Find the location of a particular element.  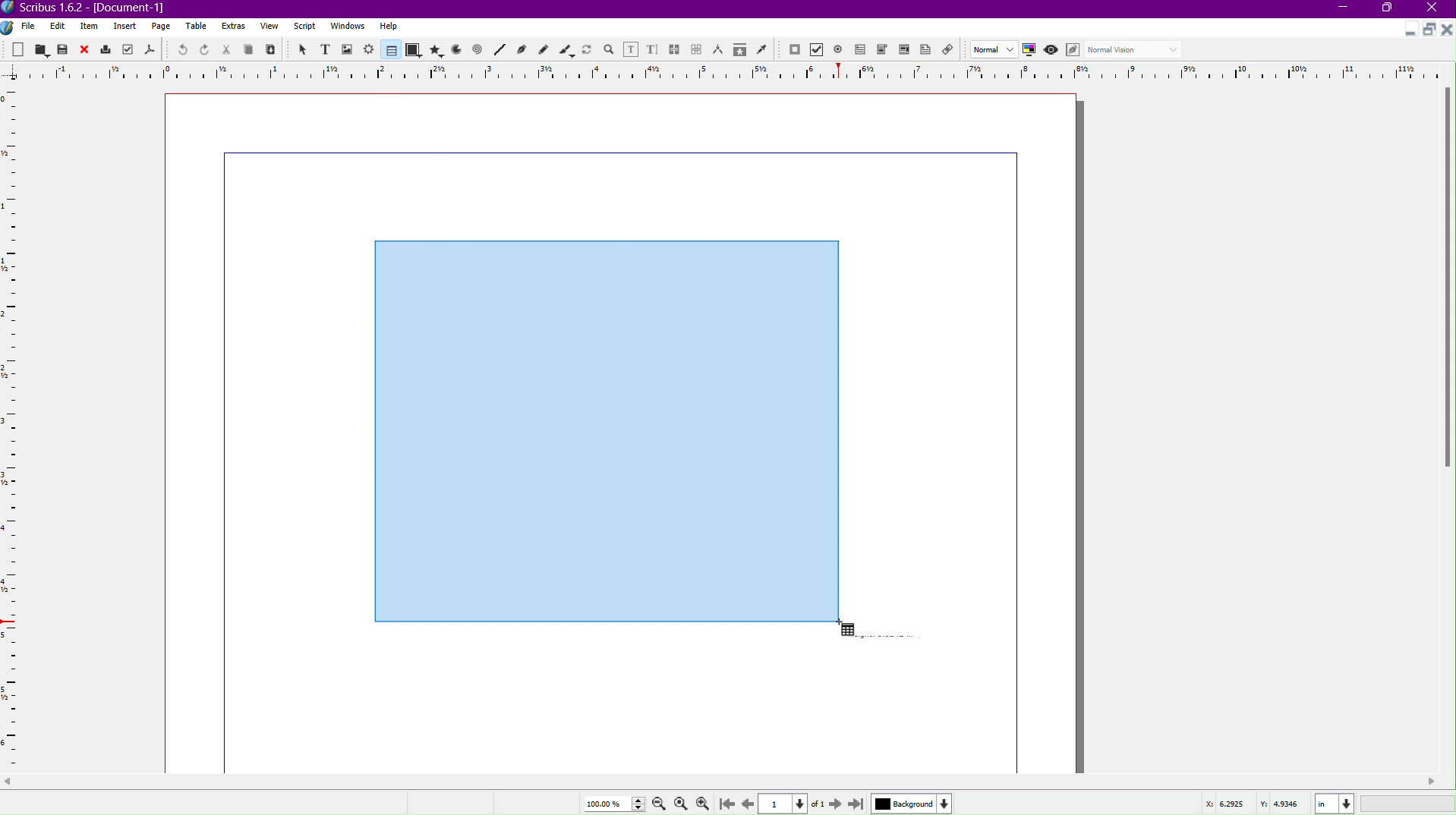

Text Frame is located at coordinates (324, 49).